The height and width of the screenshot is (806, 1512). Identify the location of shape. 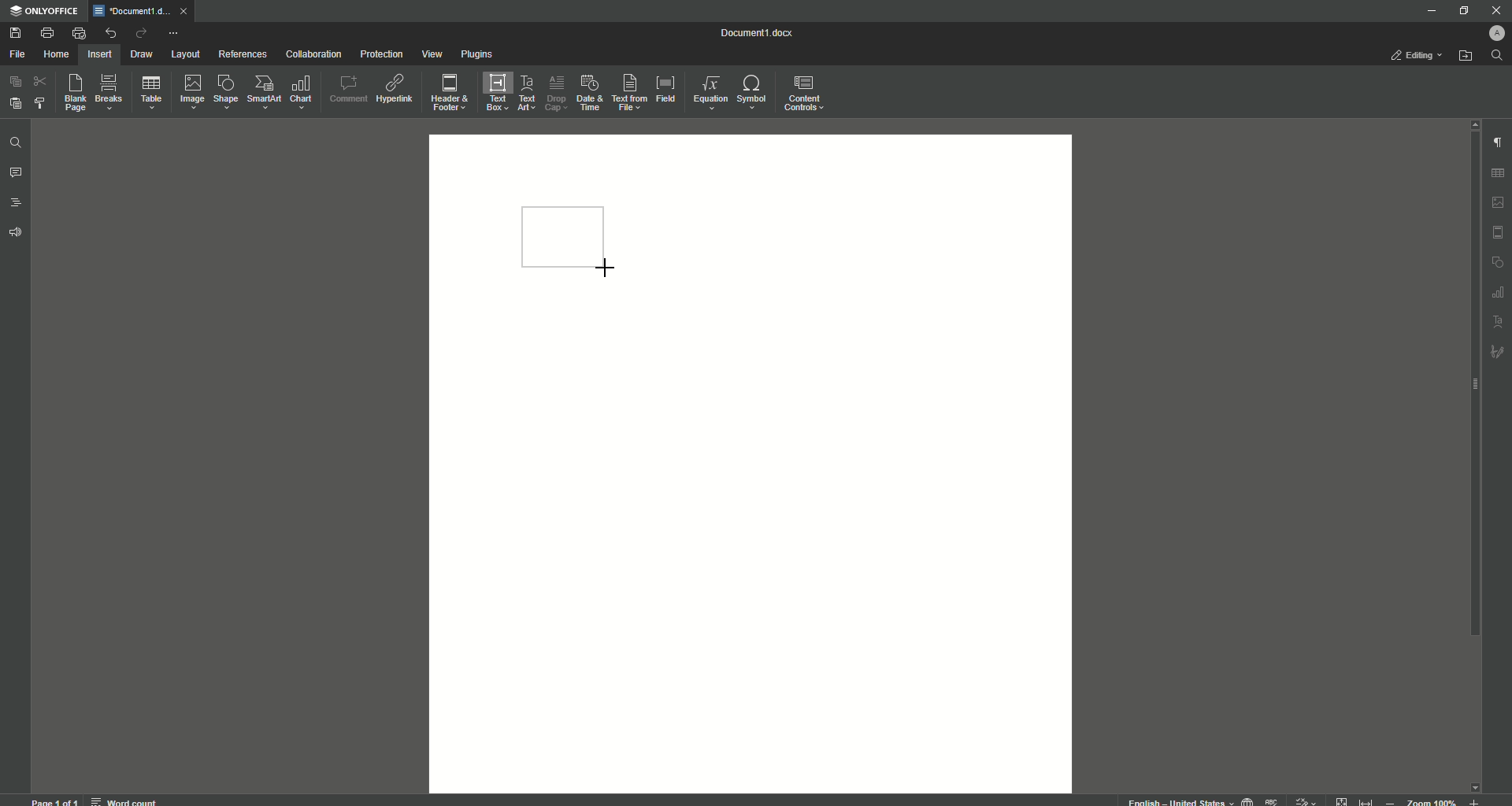
(1498, 263).